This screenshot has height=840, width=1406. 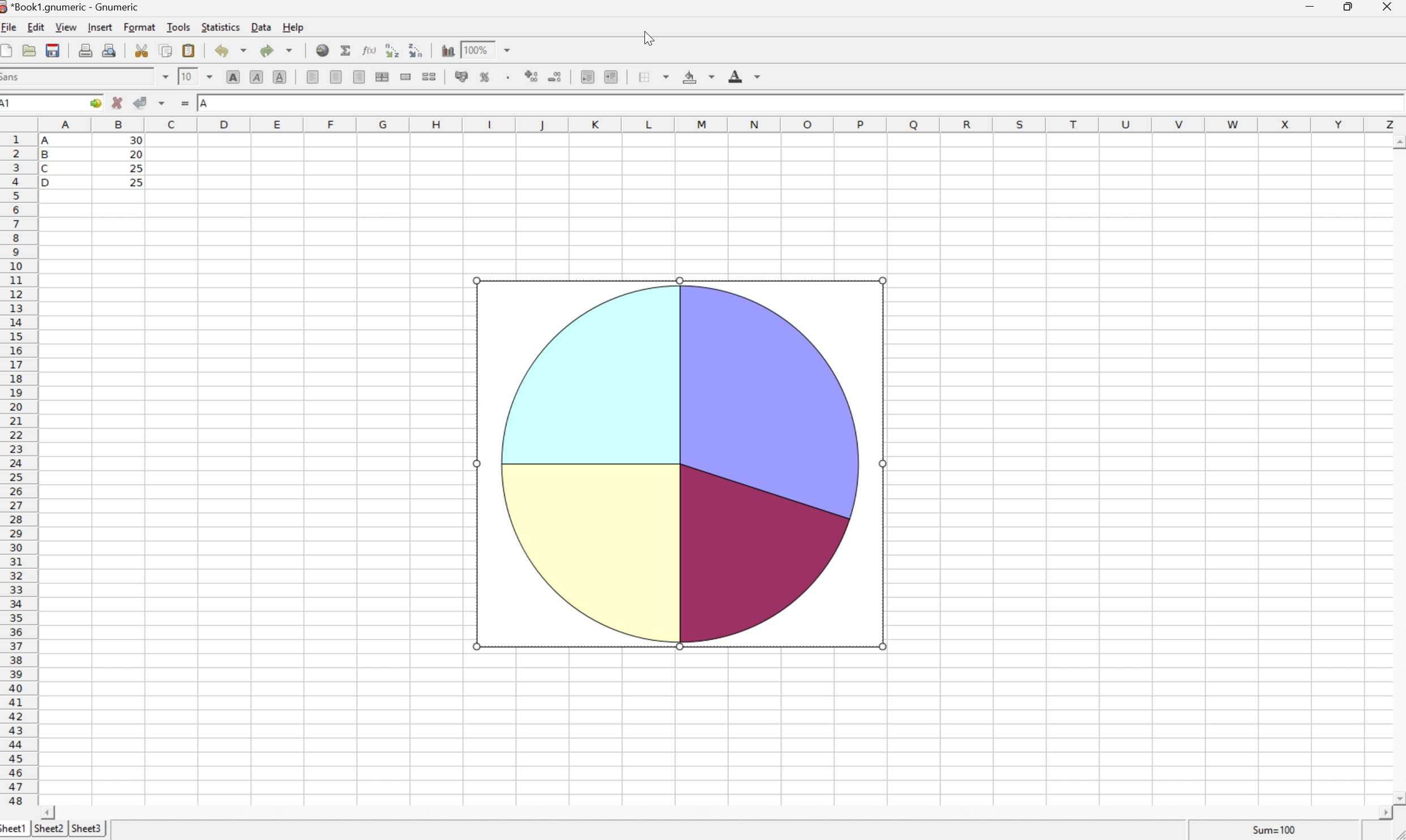 I want to click on Accept changes in multiple cells, so click(x=163, y=101).